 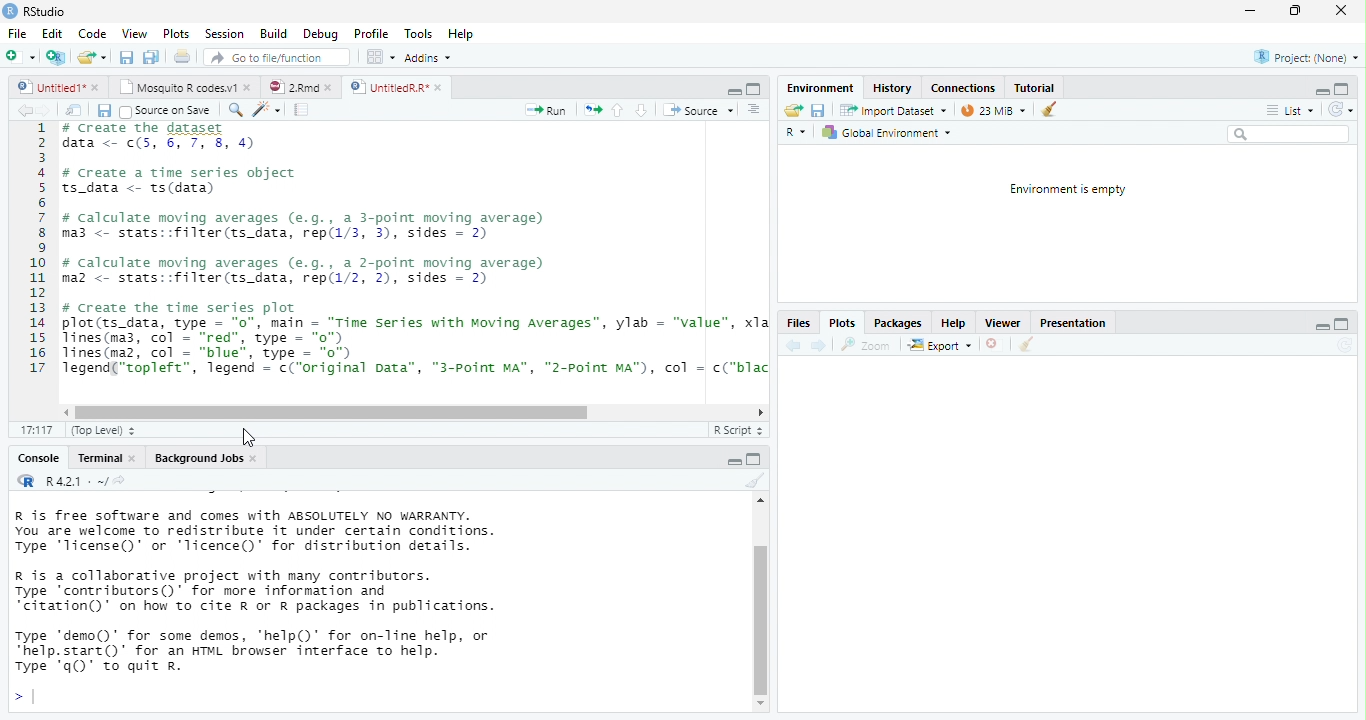 I want to click on wrokspace pan, so click(x=379, y=57).